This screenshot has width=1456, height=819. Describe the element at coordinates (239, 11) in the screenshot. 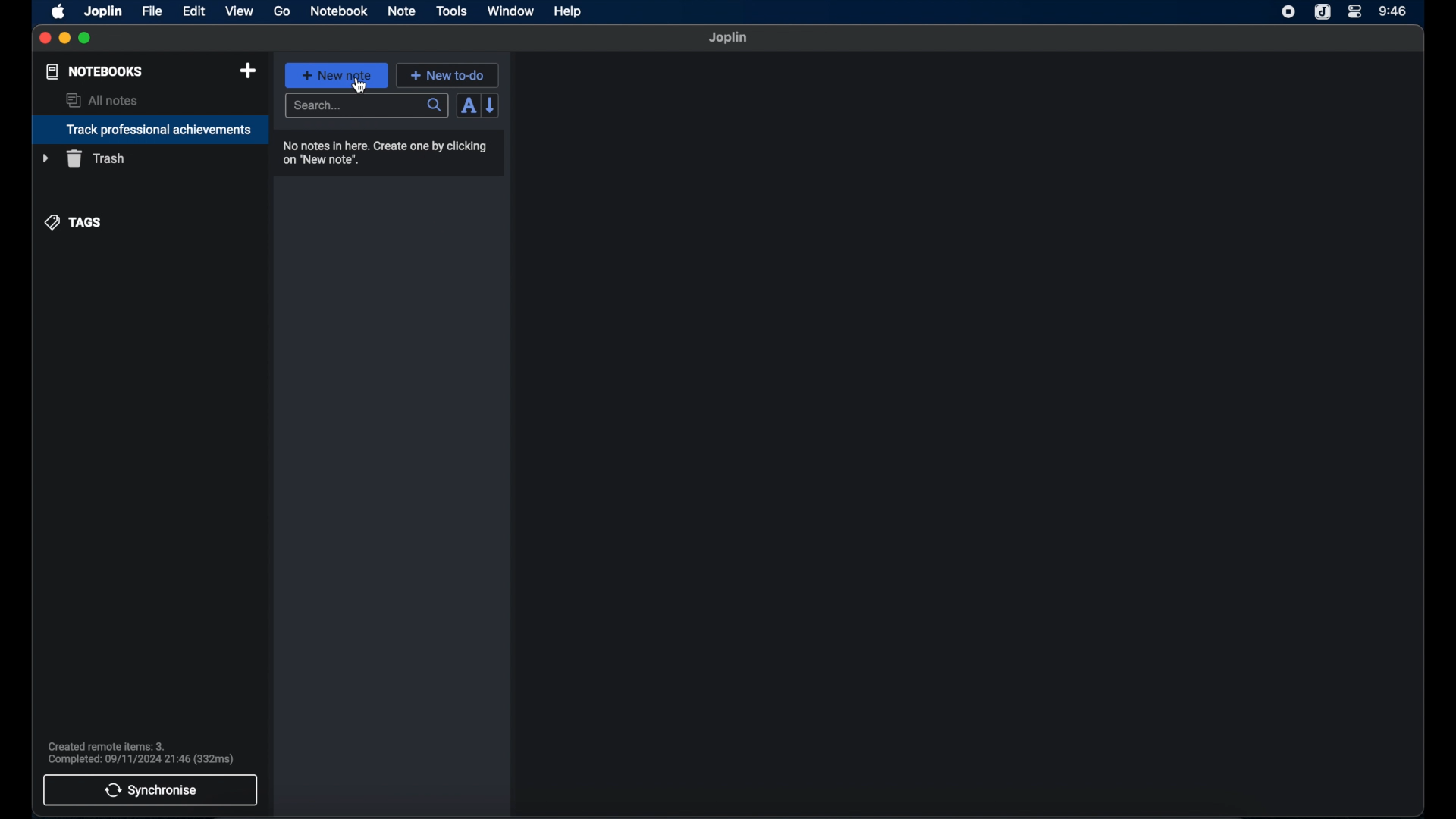

I see `view` at that location.